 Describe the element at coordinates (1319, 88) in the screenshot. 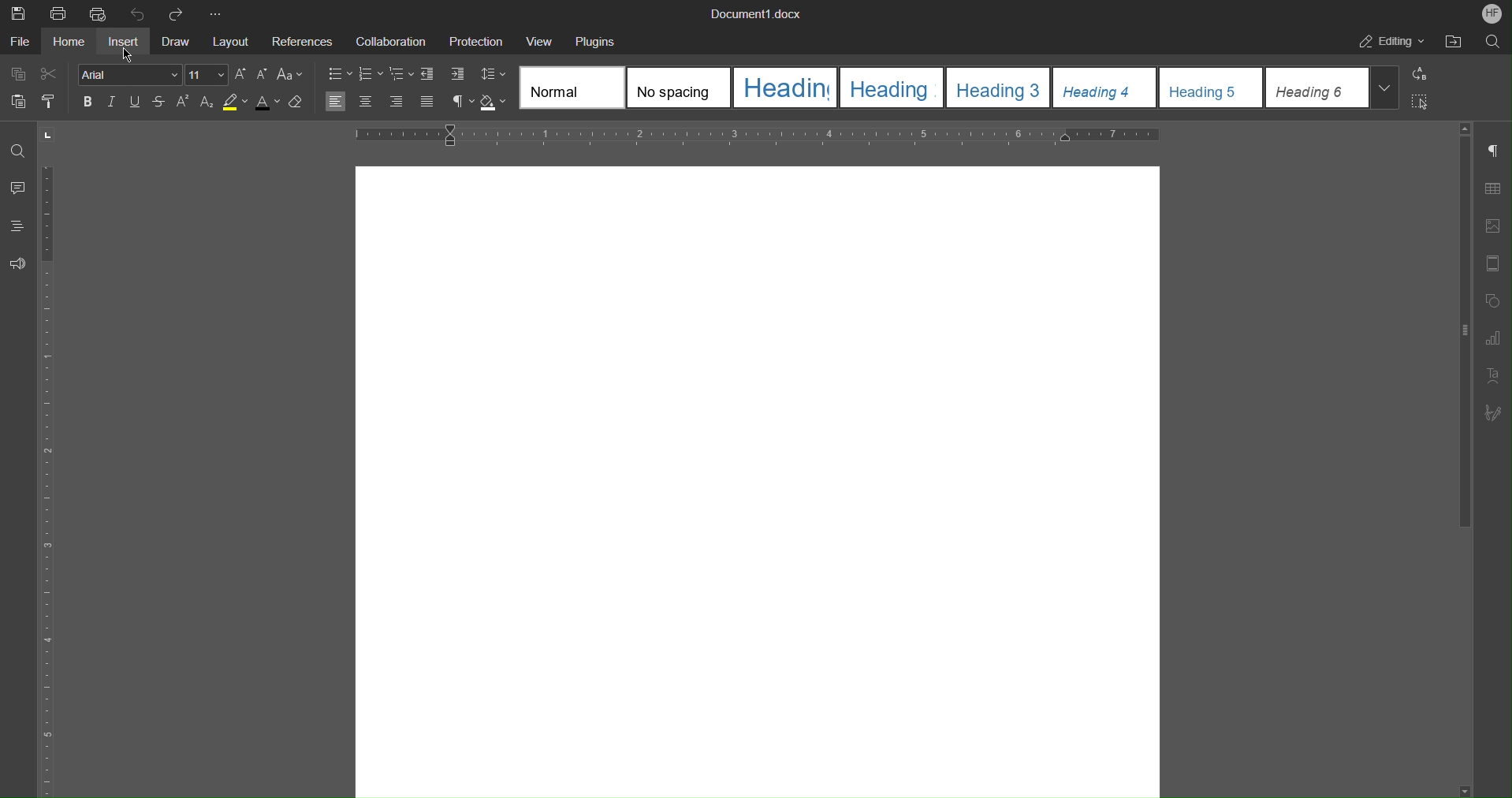

I see `Heading 6` at that location.